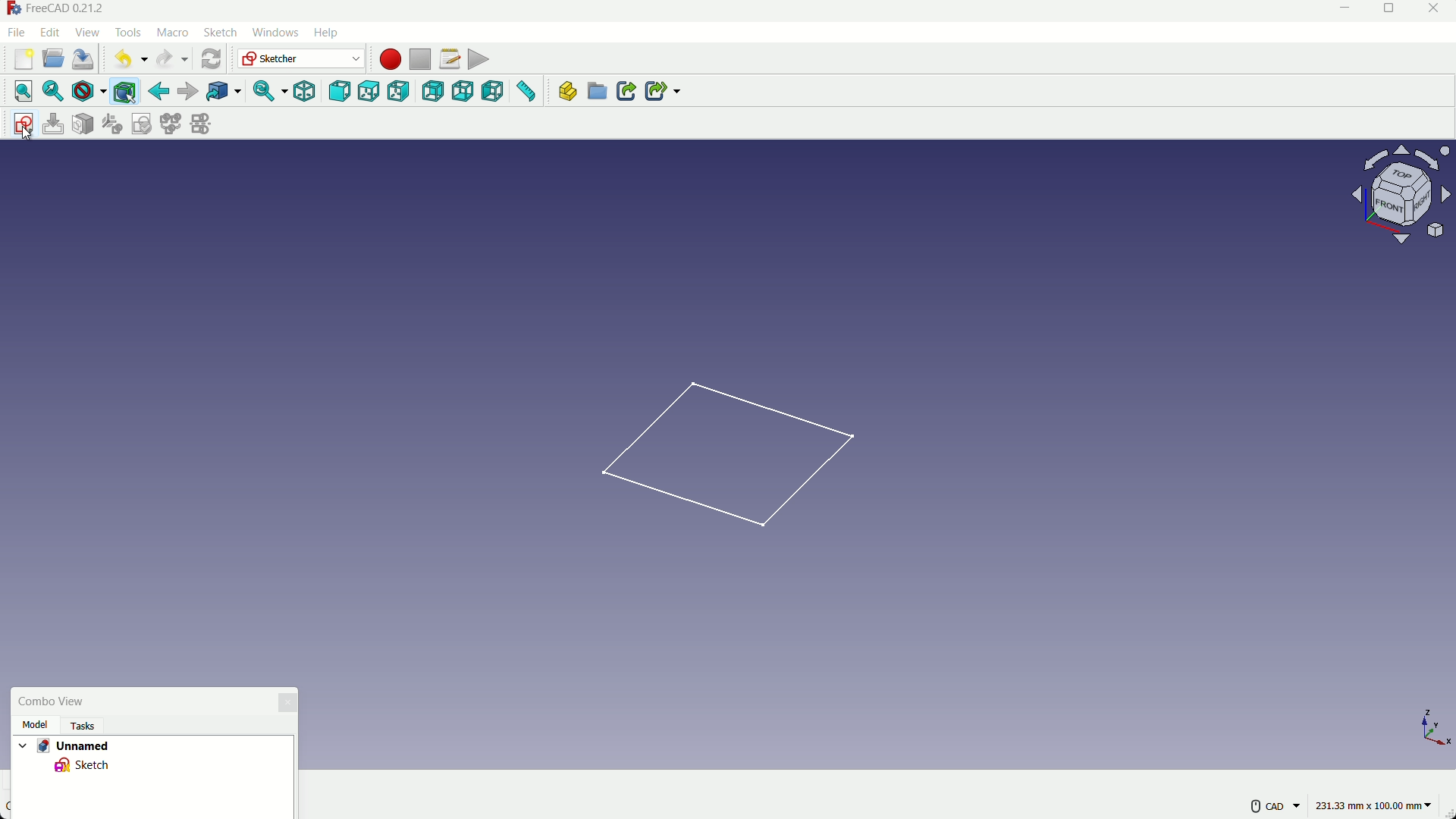 Image resolution: width=1456 pixels, height=819 pixels. Describe the element at coordinates (432, 92) in the screenshot. I see `back view` at that location.